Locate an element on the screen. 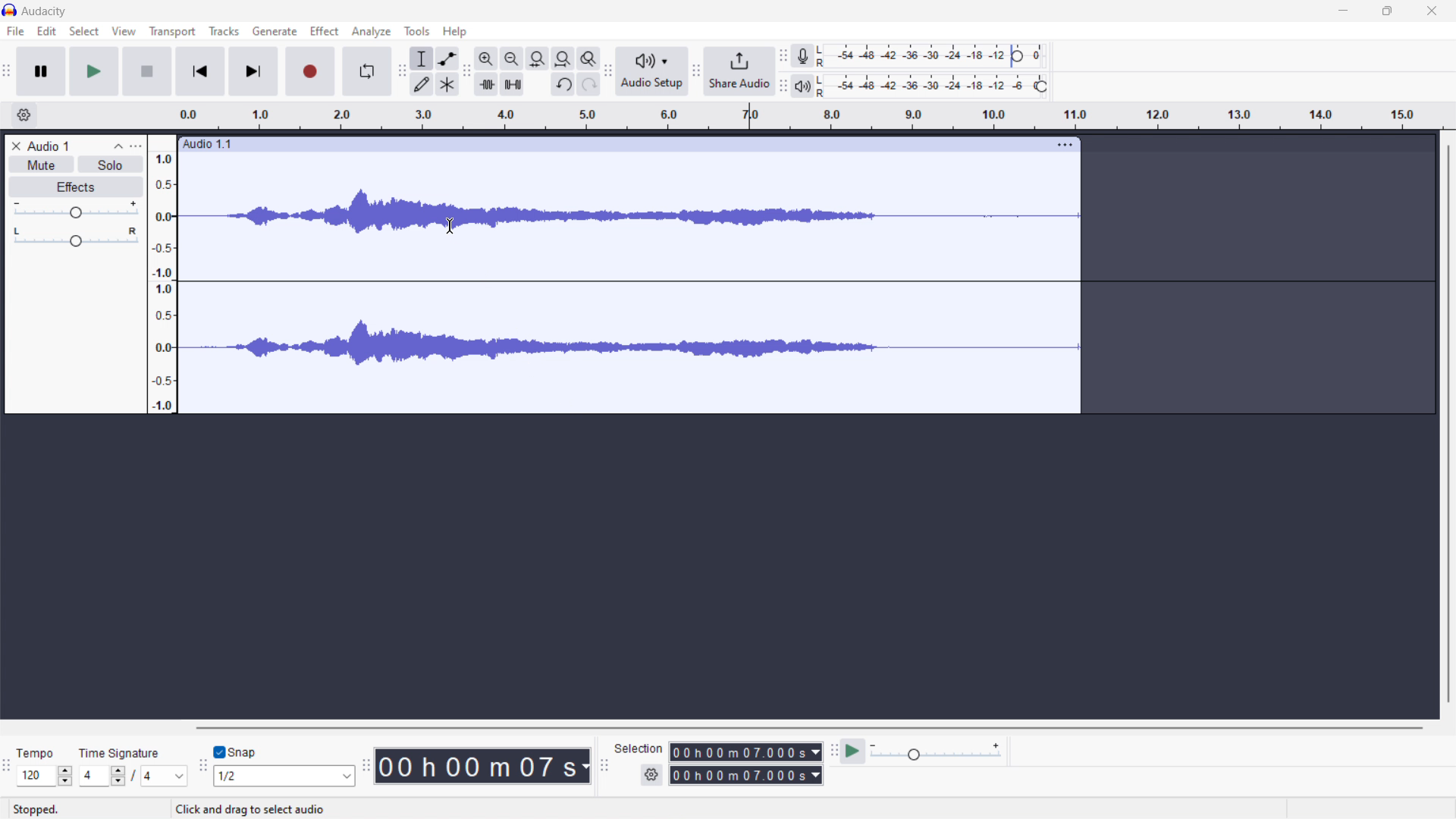  maximize is located at coordinates (1387, 11).